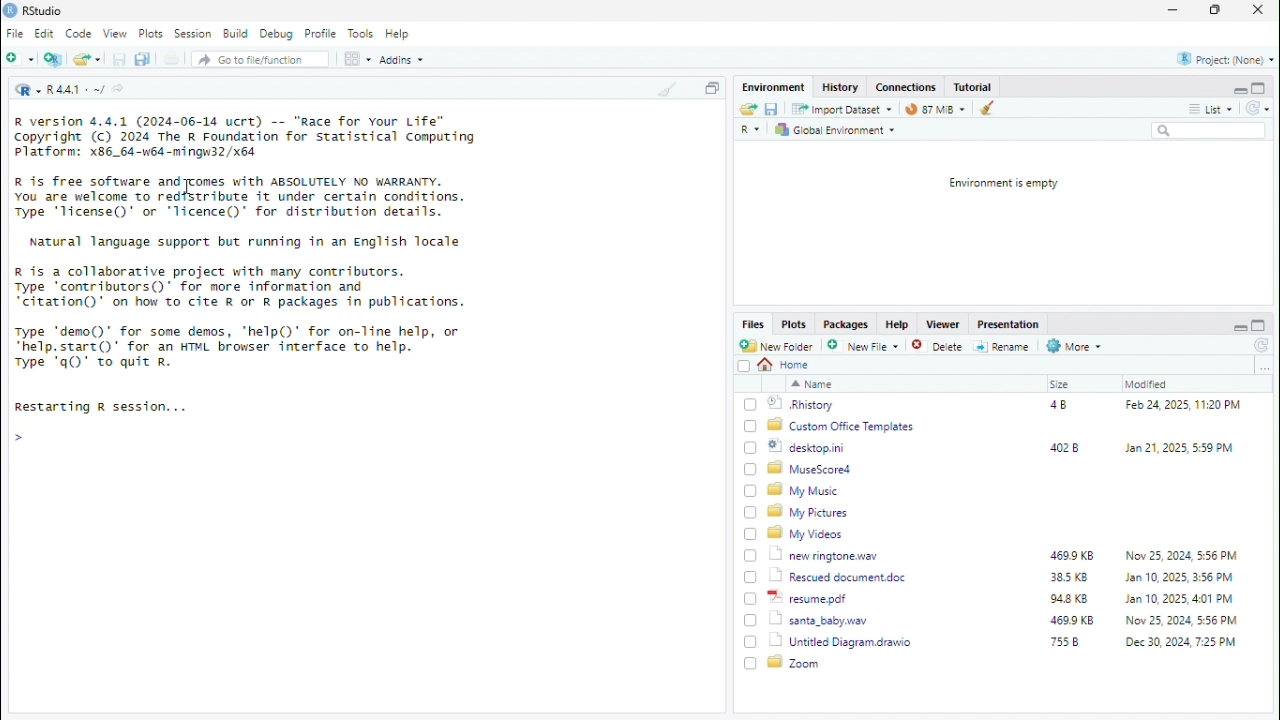  I want to click on home, so click(785, 365).